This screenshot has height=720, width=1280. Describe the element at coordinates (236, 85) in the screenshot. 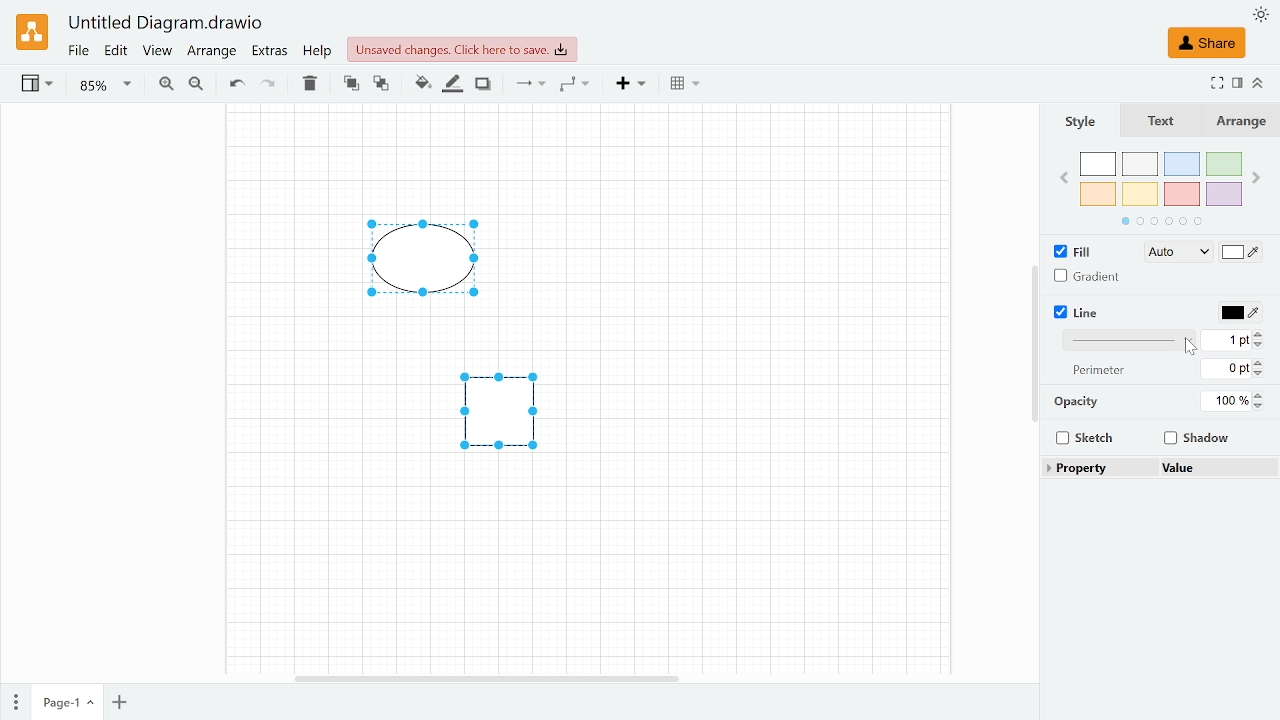

I see `Undo` at that location.